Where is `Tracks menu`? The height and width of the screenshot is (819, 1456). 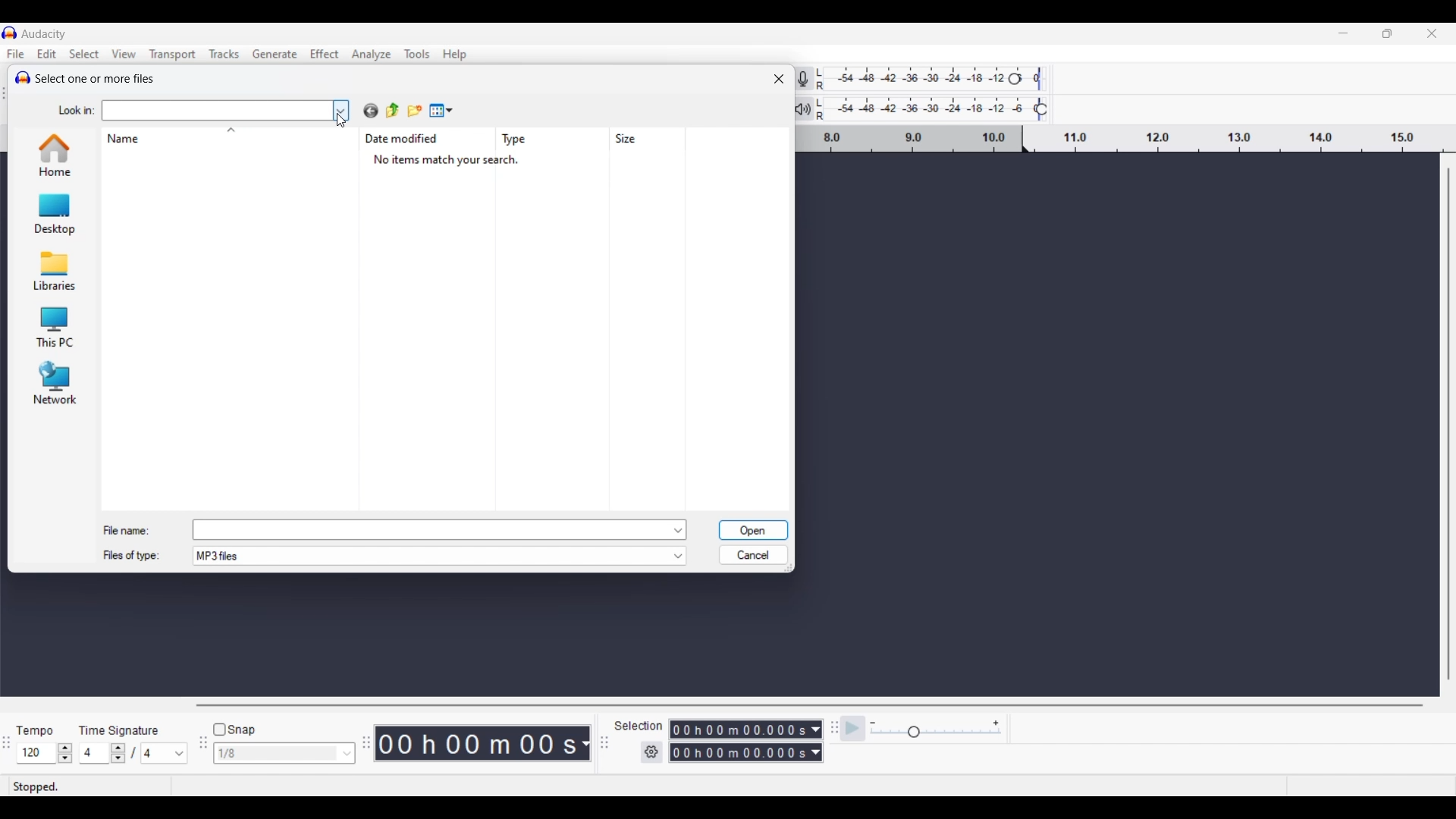 Tracks menu is located at coordinates (225, 54).